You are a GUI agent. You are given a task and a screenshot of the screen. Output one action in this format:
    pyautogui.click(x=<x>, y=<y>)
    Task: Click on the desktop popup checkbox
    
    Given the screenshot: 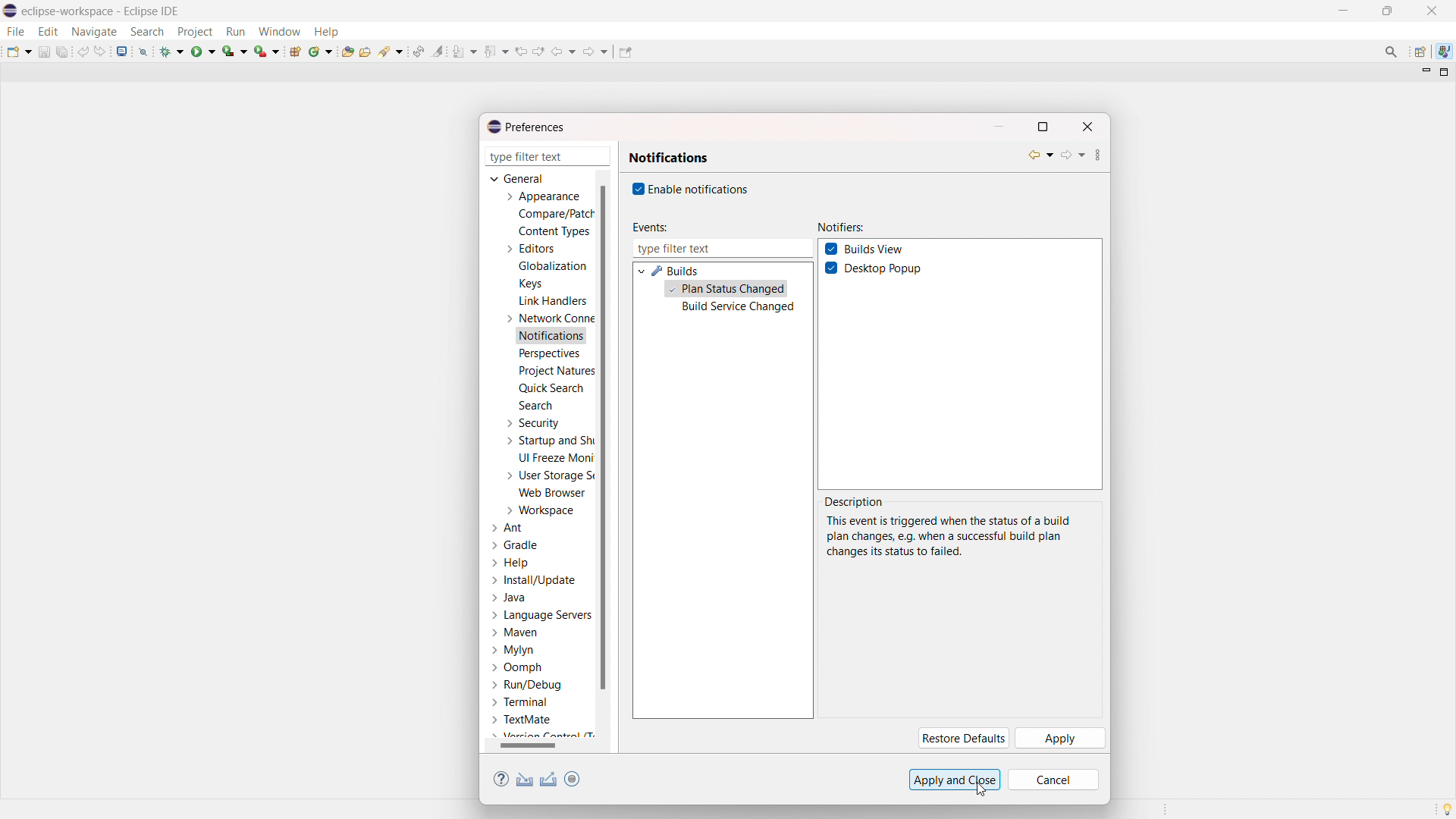 What is the action you would take?
    pyautogui.click(x=886, y=269)
    